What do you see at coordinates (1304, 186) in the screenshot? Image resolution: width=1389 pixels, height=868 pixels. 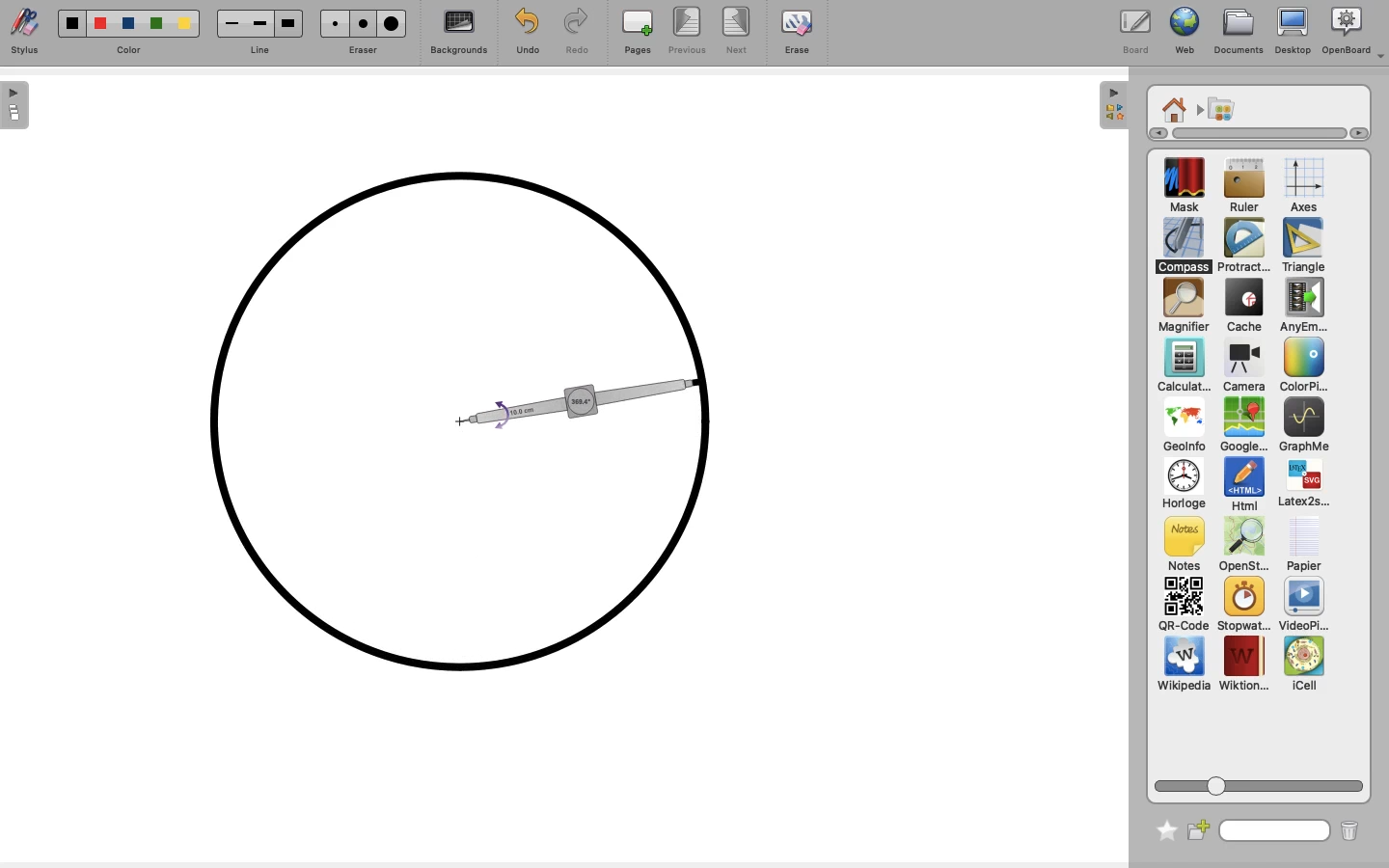 I see `Axes` at bounding box center [1304, 186].